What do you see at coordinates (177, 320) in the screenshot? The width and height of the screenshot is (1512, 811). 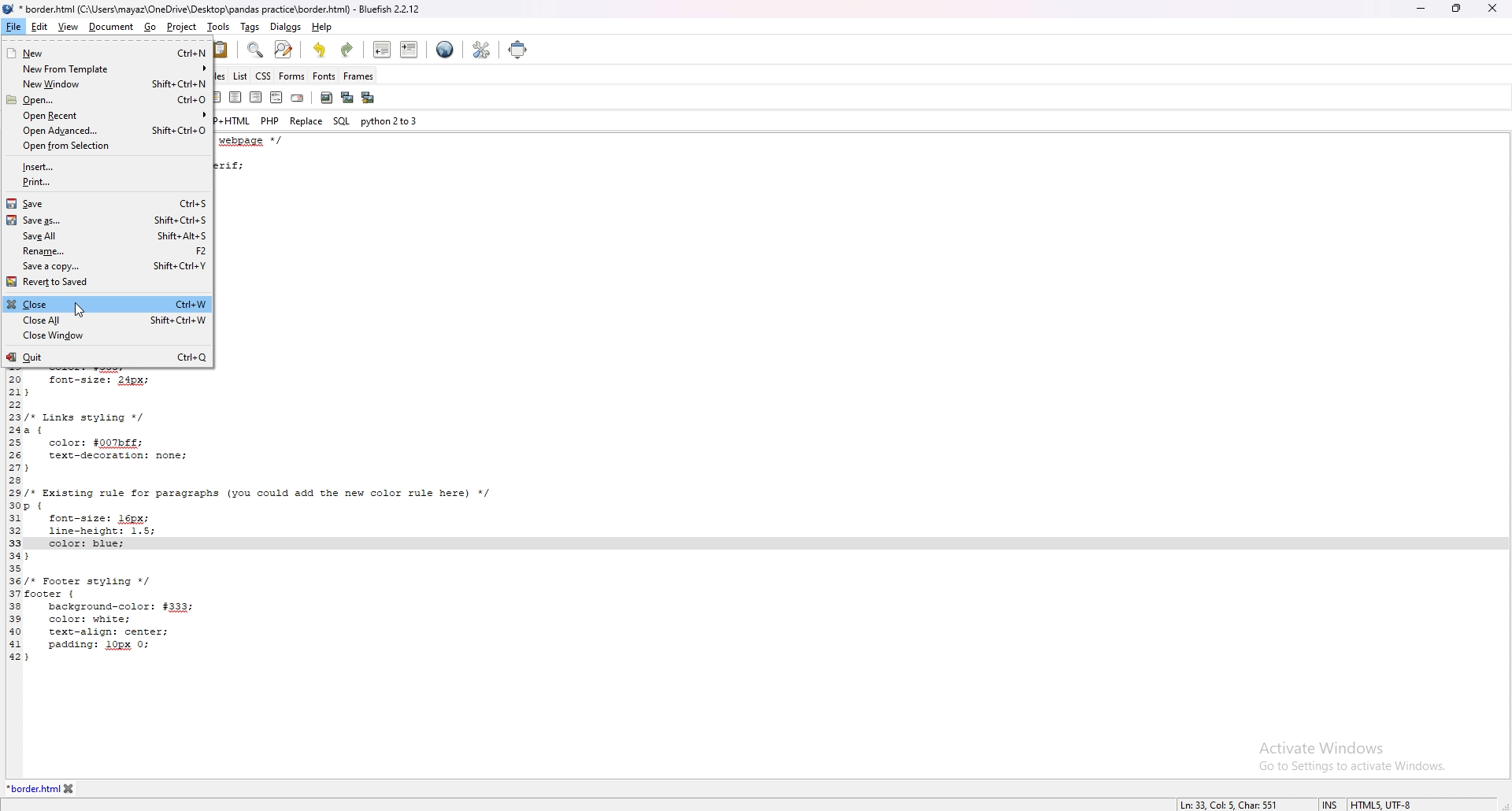 I see `ctrl+shift+w` at bounding box center [177, 320].